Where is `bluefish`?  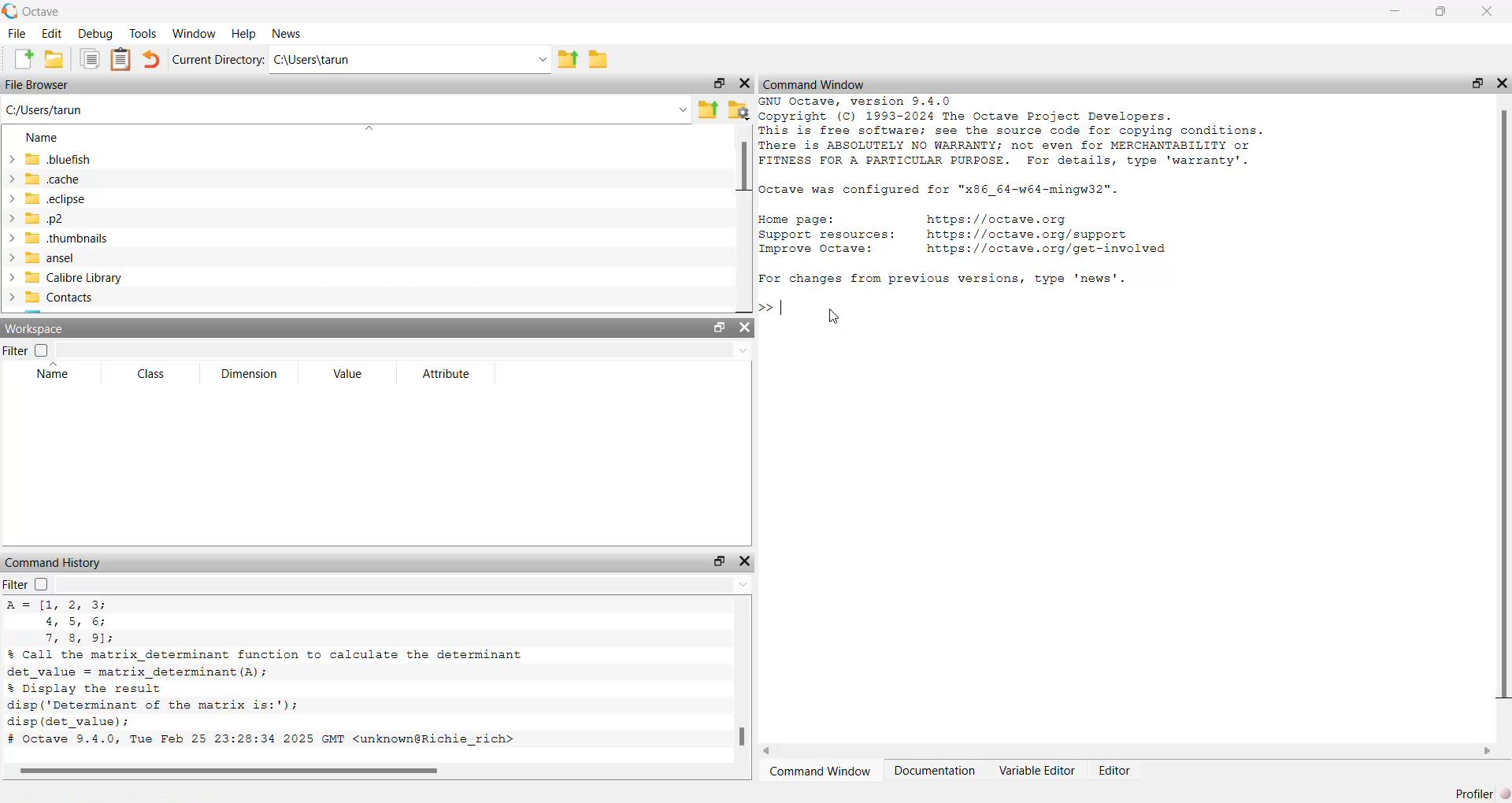
bluefish is located at coordinates (51, 160).